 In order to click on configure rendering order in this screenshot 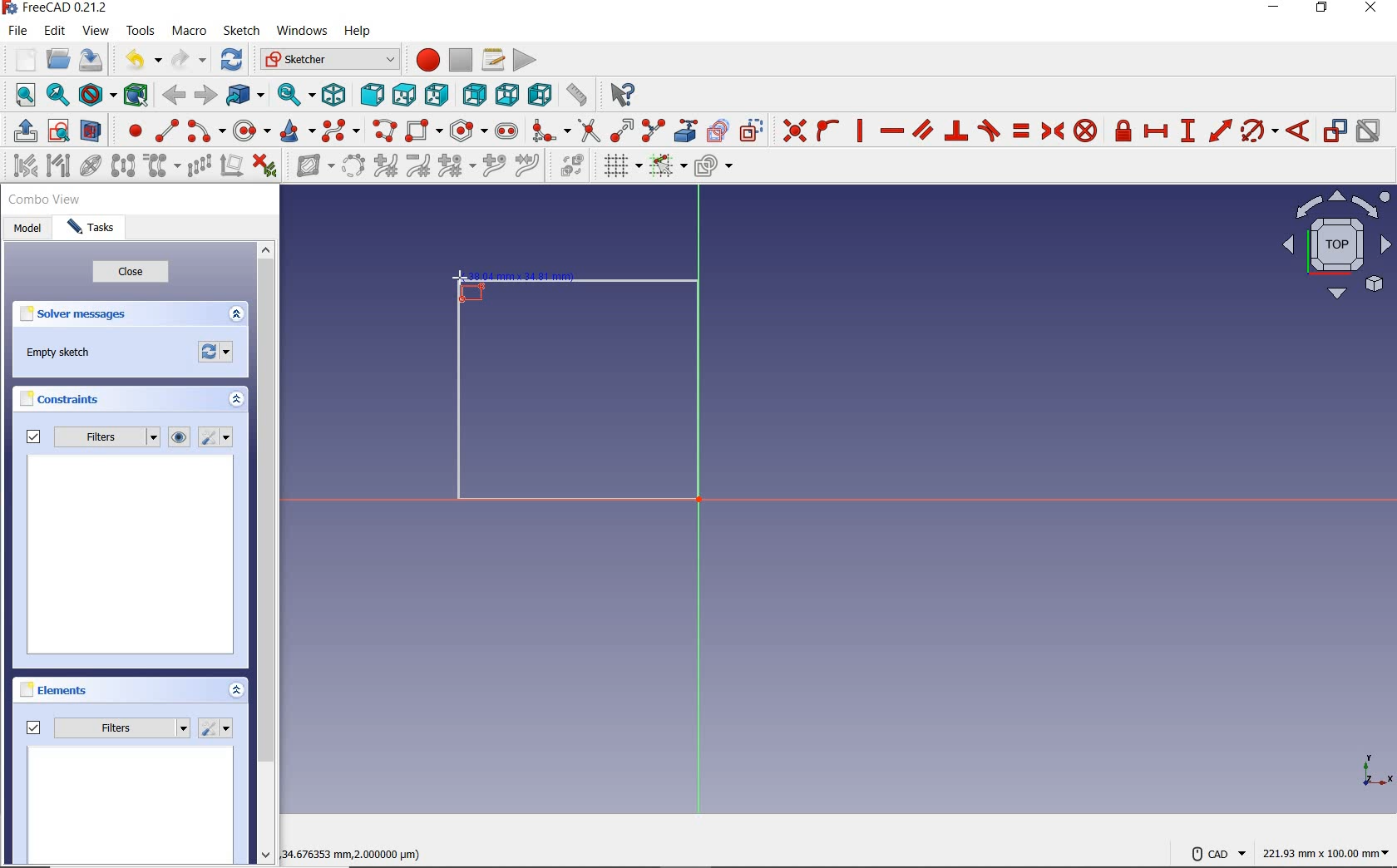, I will do `click(717, 169)`.